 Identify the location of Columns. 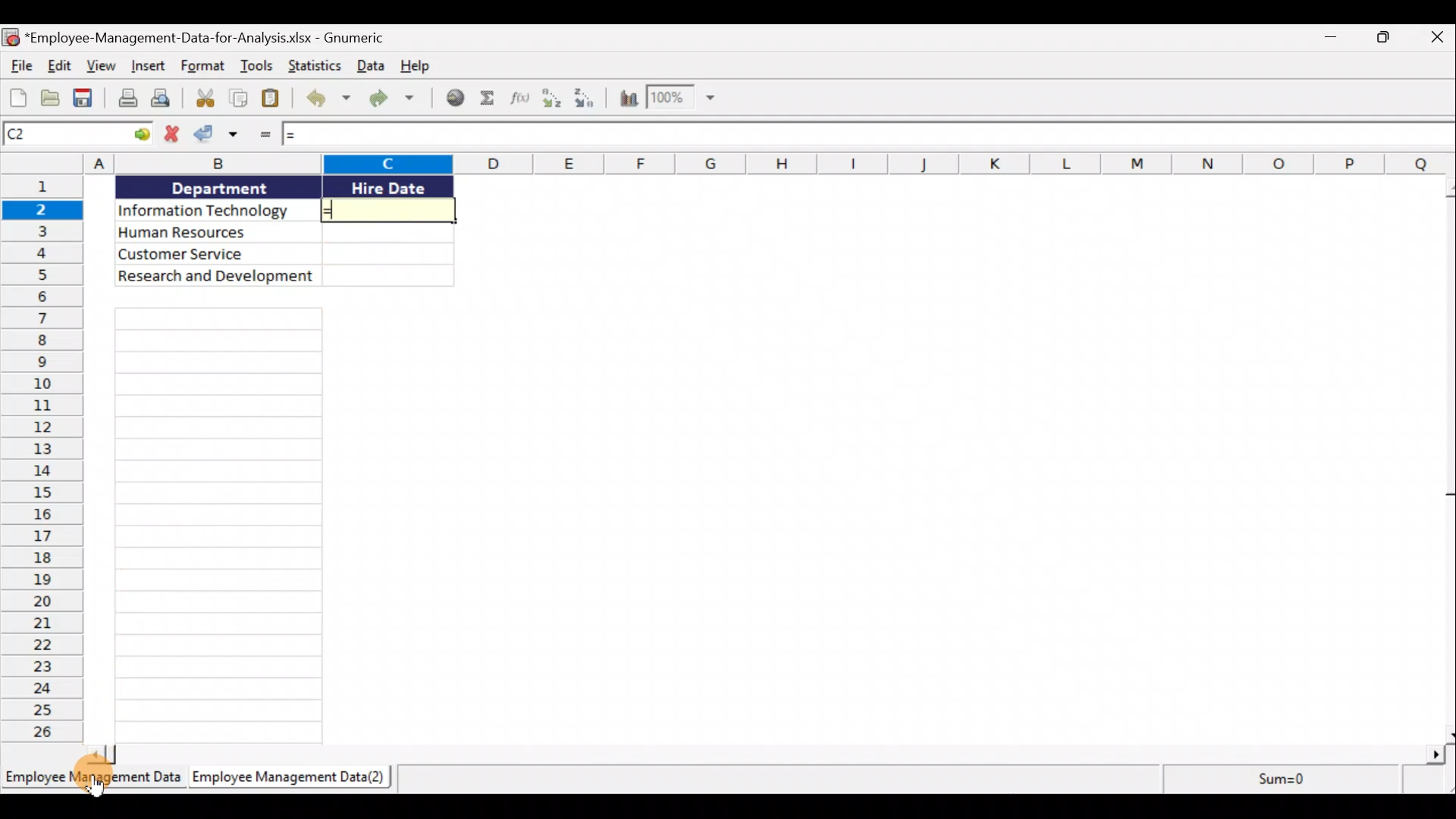
(728, 163).